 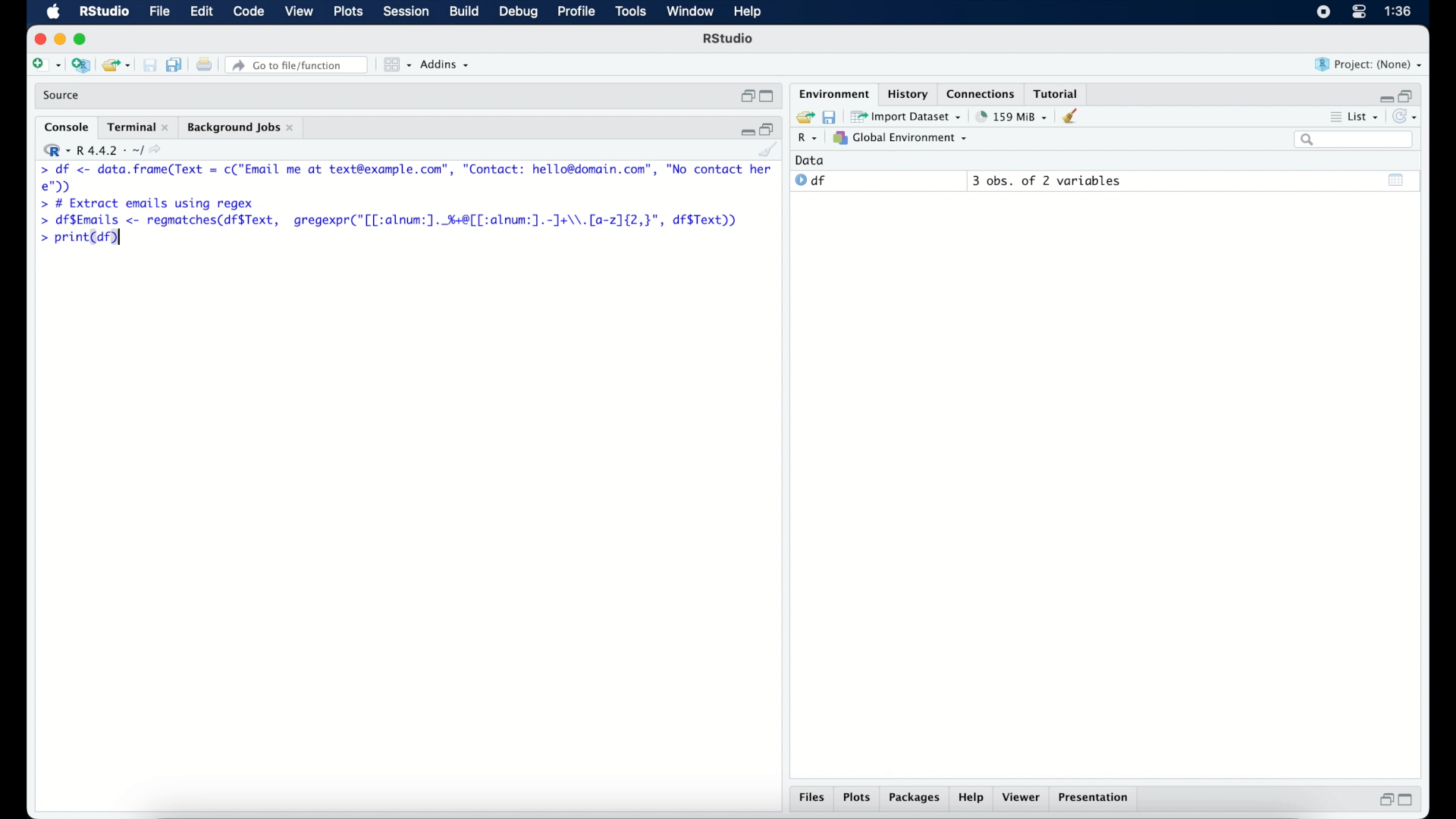 What do you see at coordinates (149, 64) in the screenshot?
I see `print` at bounding box center [149, 64].